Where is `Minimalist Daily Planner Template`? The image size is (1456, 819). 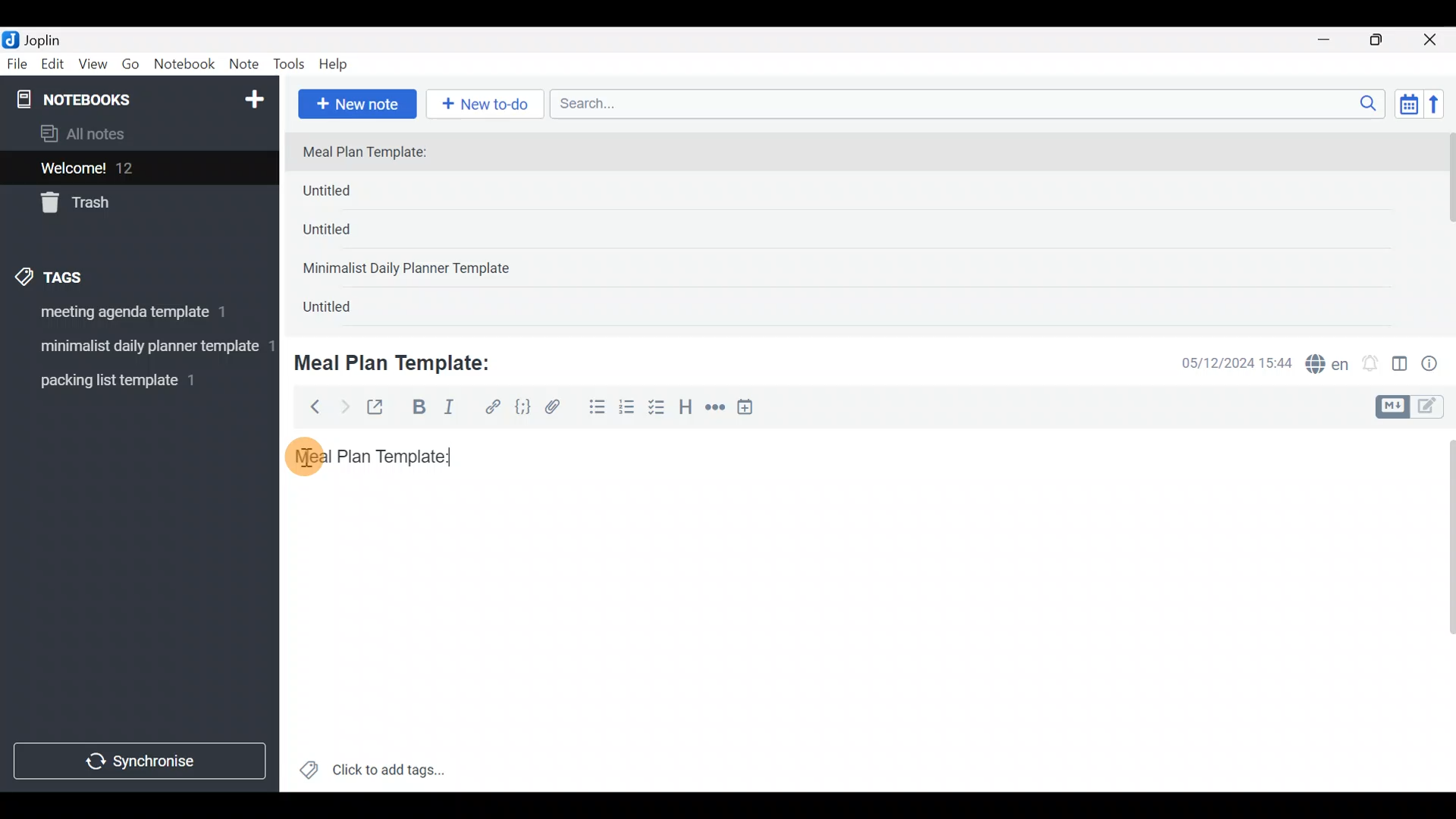 Minimalist Daily Planner Template is located at coordinates (411, 270).